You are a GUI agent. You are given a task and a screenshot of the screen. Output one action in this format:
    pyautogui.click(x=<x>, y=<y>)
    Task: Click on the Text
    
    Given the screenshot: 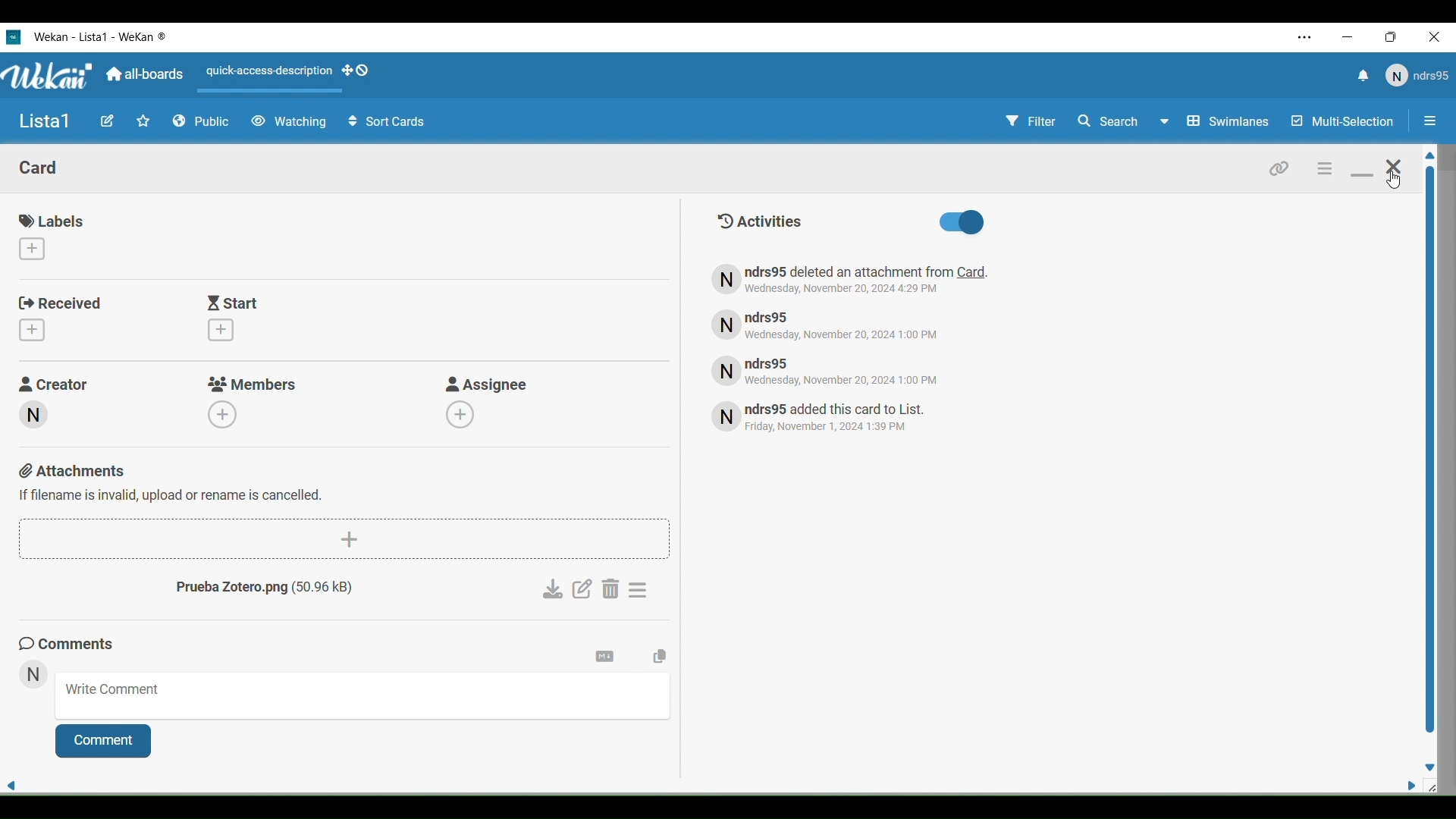 What is the action you would take?
    pyautogui.click(x=758, y=221)
    